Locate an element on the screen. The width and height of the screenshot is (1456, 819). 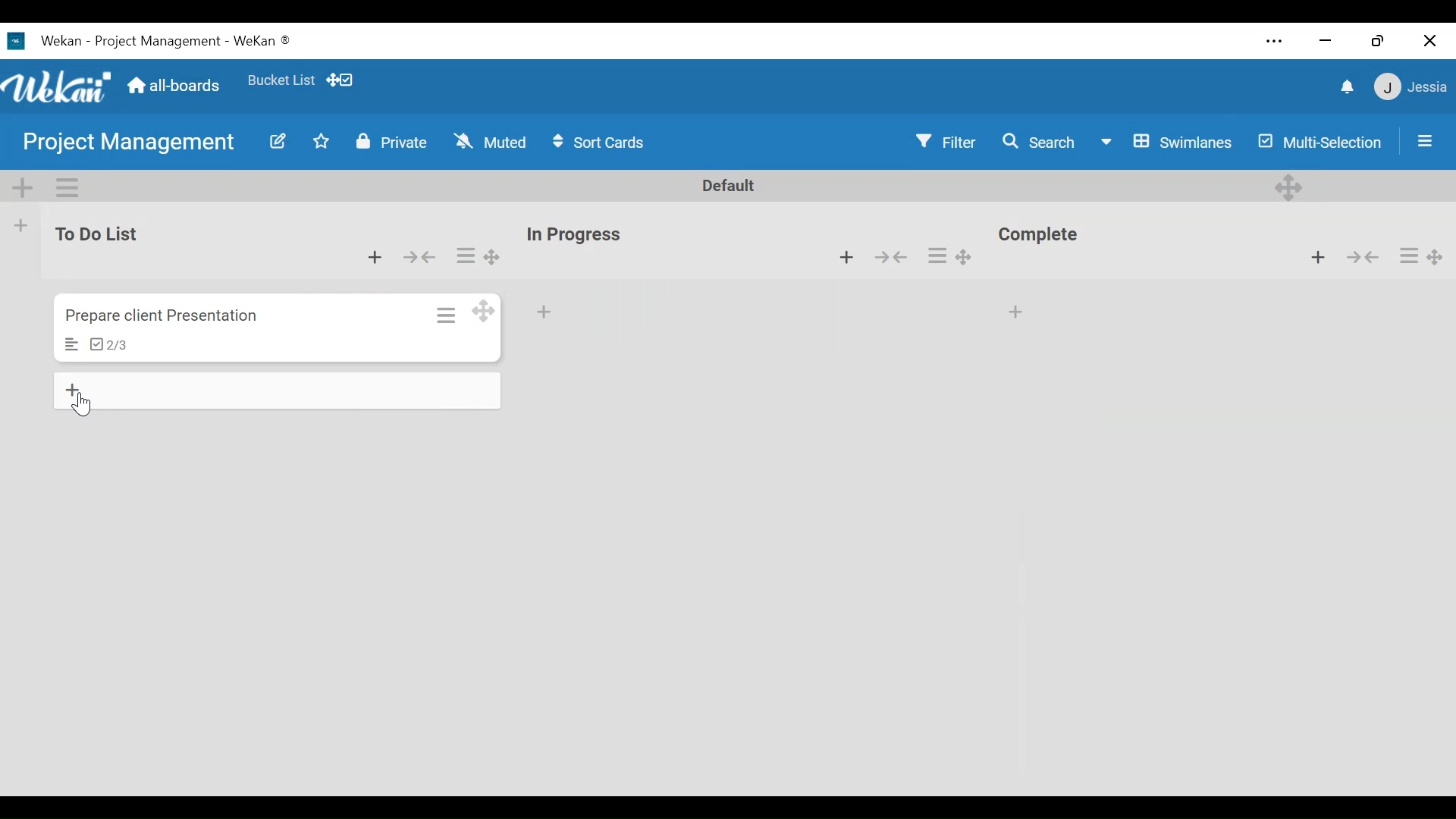
Sidebar is located at coordinates (1420, 140).